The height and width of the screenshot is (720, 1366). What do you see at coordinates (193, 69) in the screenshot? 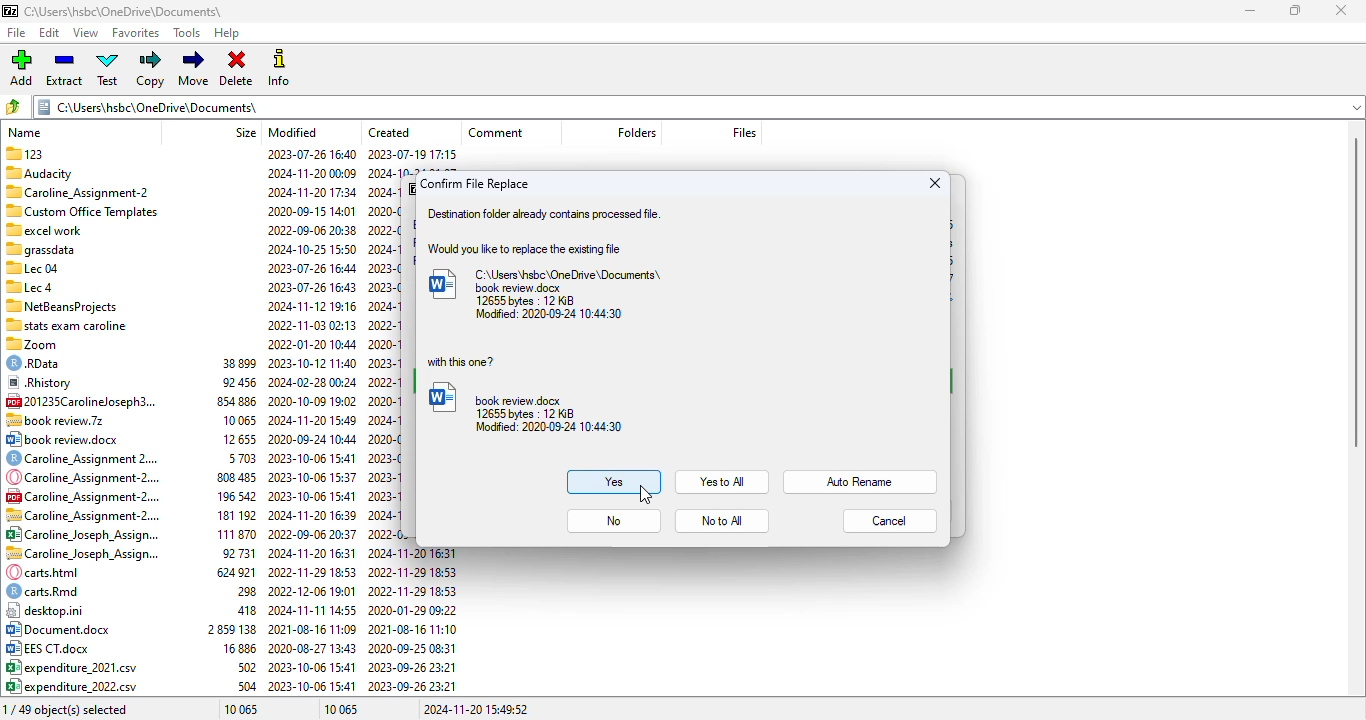
I see `move` at bounding box center [193, 69].